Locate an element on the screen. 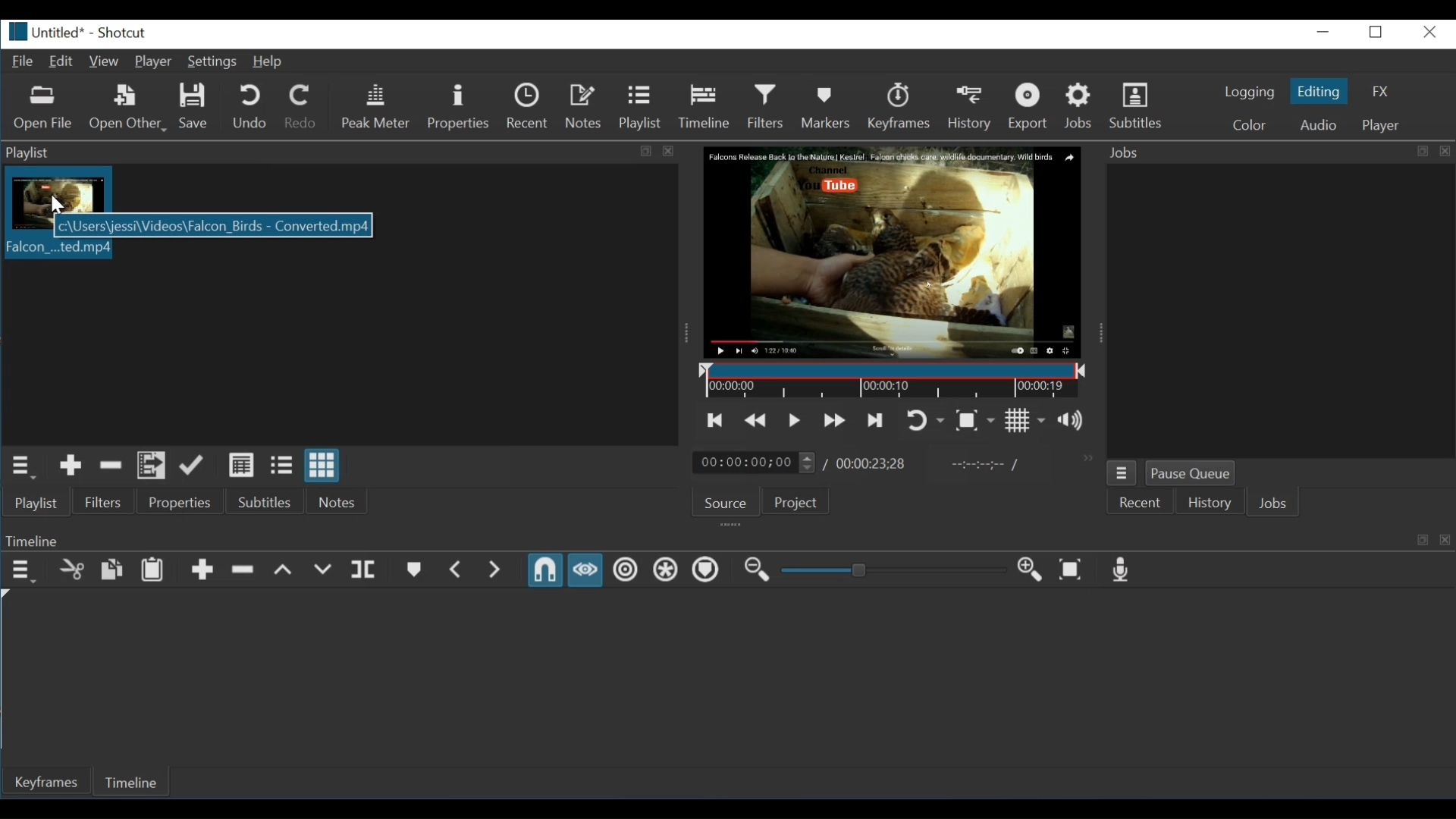 The width and height of the screenshot is (1456, 819). Shotcut is located at coordinates (121, 33).